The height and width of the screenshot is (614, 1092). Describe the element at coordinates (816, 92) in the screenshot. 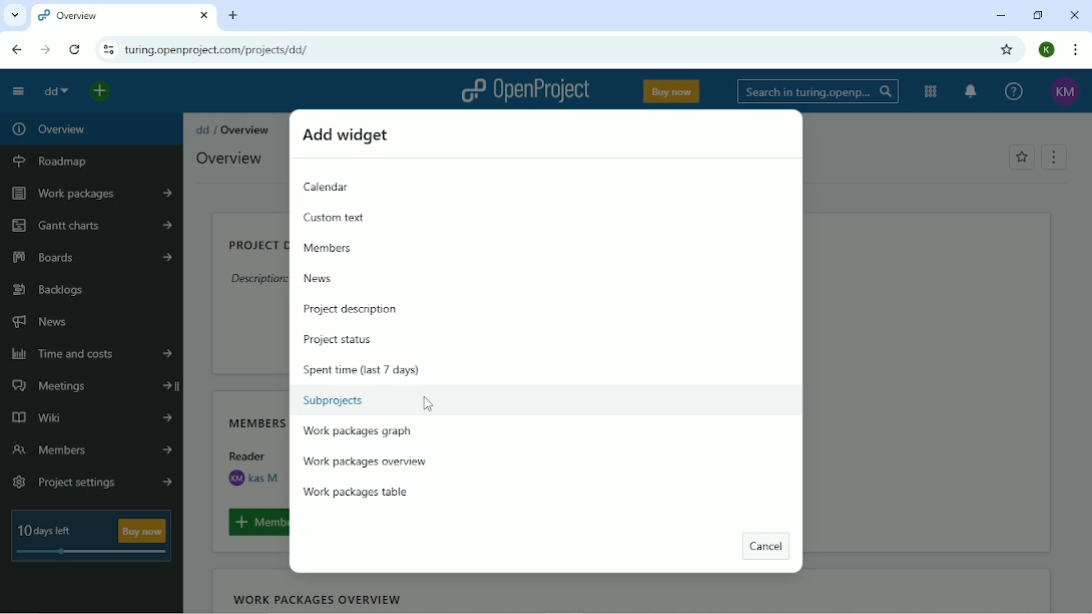

I see `Search` at that location.